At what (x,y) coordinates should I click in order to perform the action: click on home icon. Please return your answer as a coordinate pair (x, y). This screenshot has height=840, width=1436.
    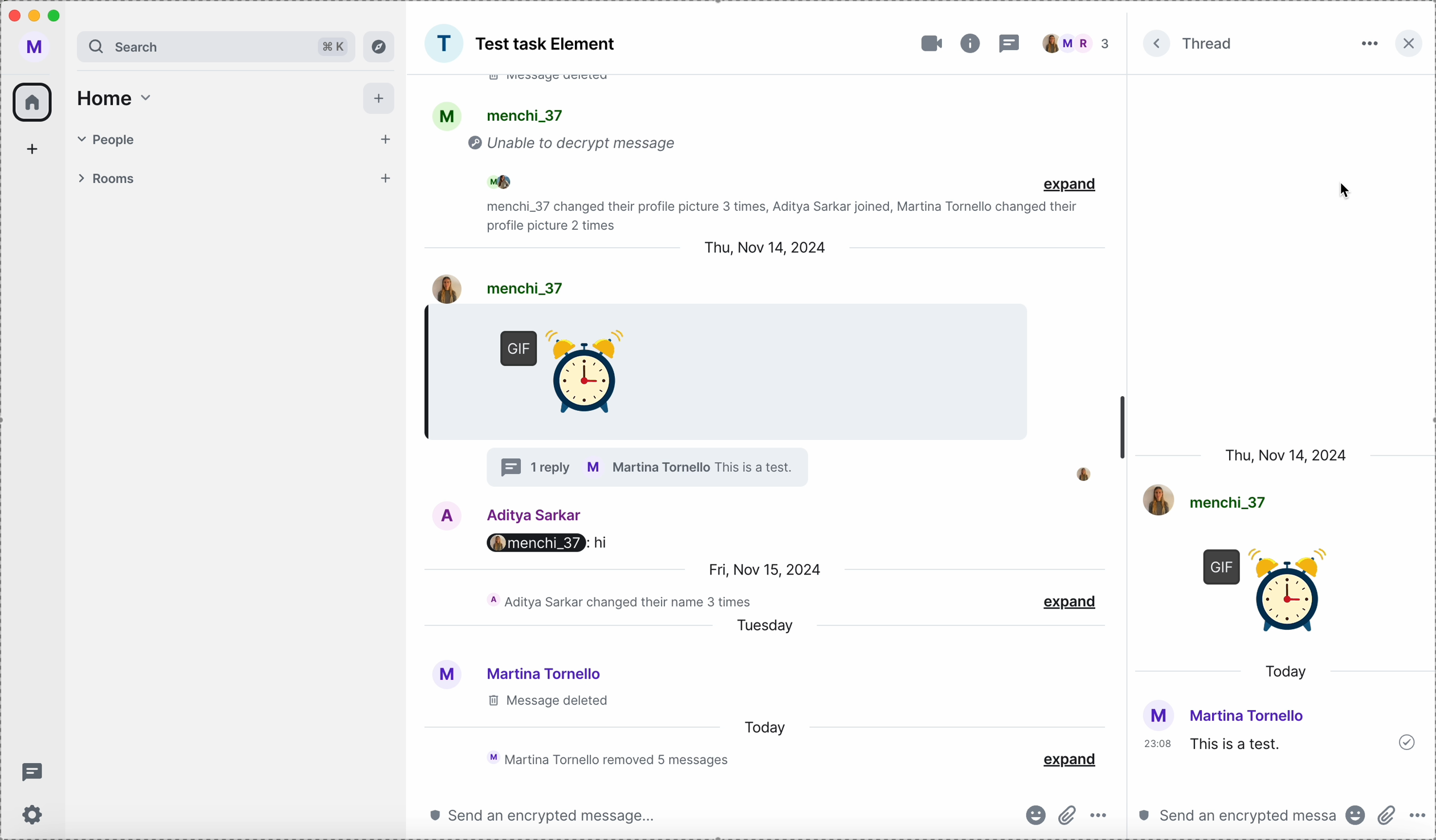
    Looking at the image, I should click on (33, 102).